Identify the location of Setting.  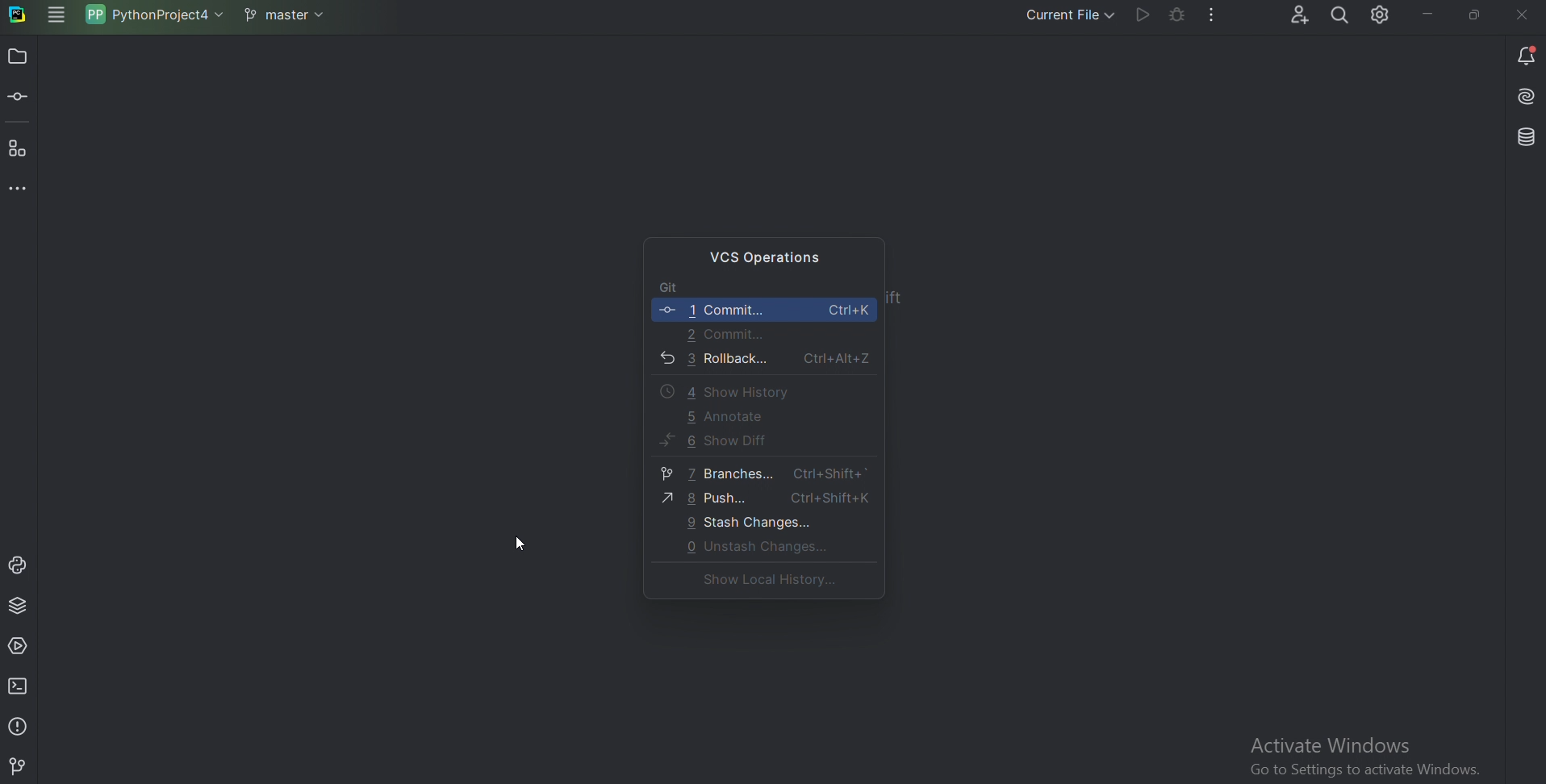
(1378, 17).